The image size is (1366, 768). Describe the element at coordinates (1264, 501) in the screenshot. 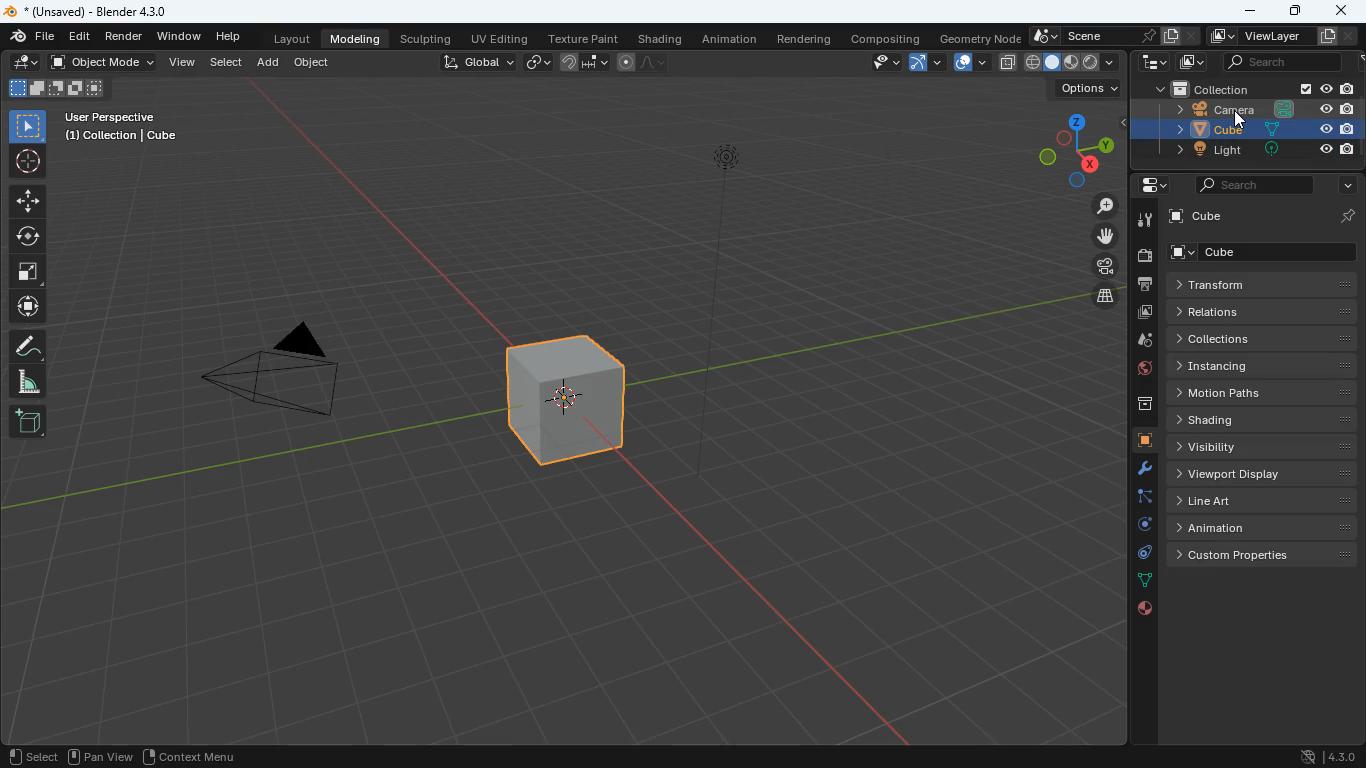

I see `line art` at that location.